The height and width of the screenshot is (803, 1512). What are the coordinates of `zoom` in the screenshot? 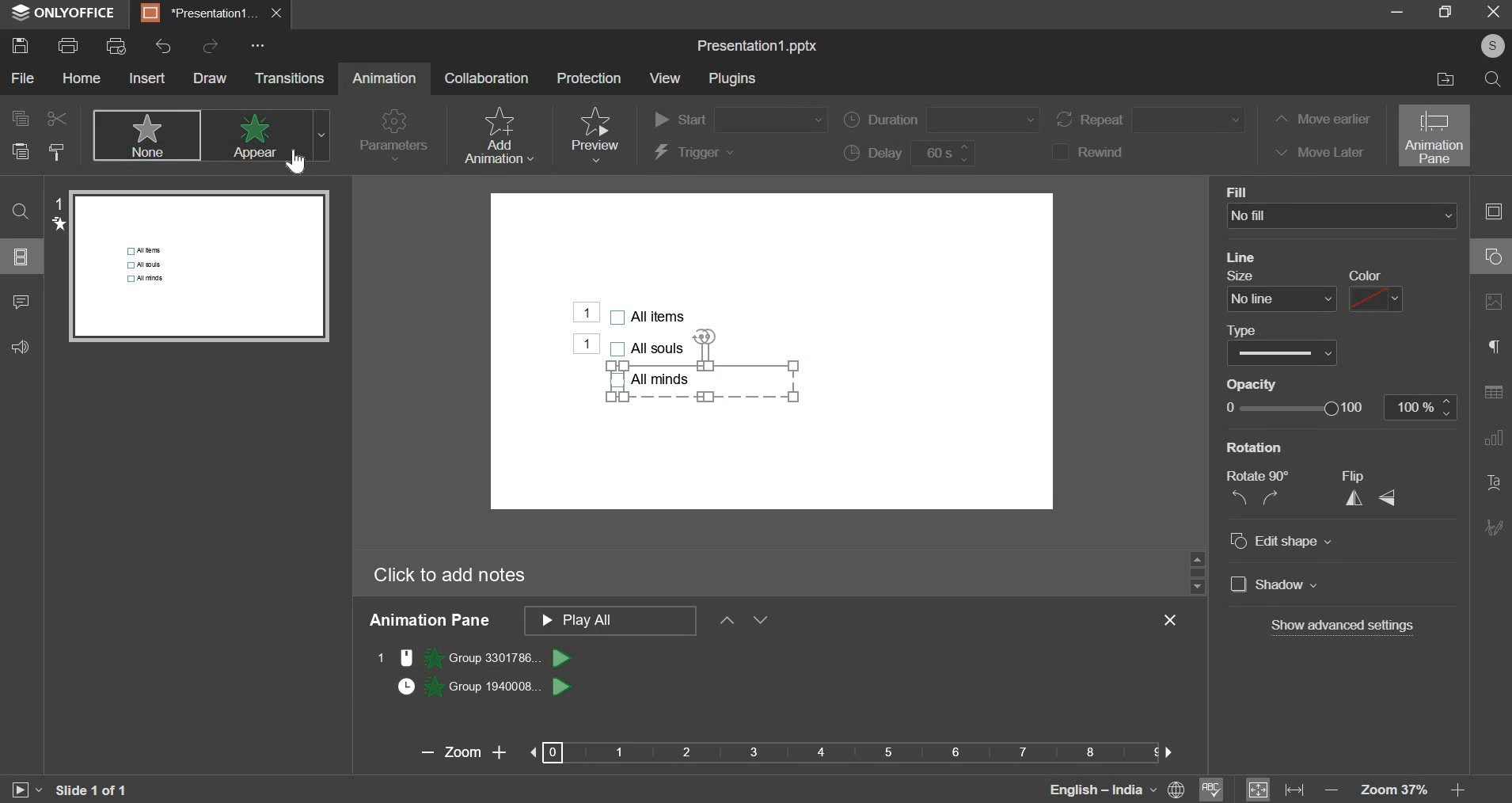 It's located at (1406, 790).